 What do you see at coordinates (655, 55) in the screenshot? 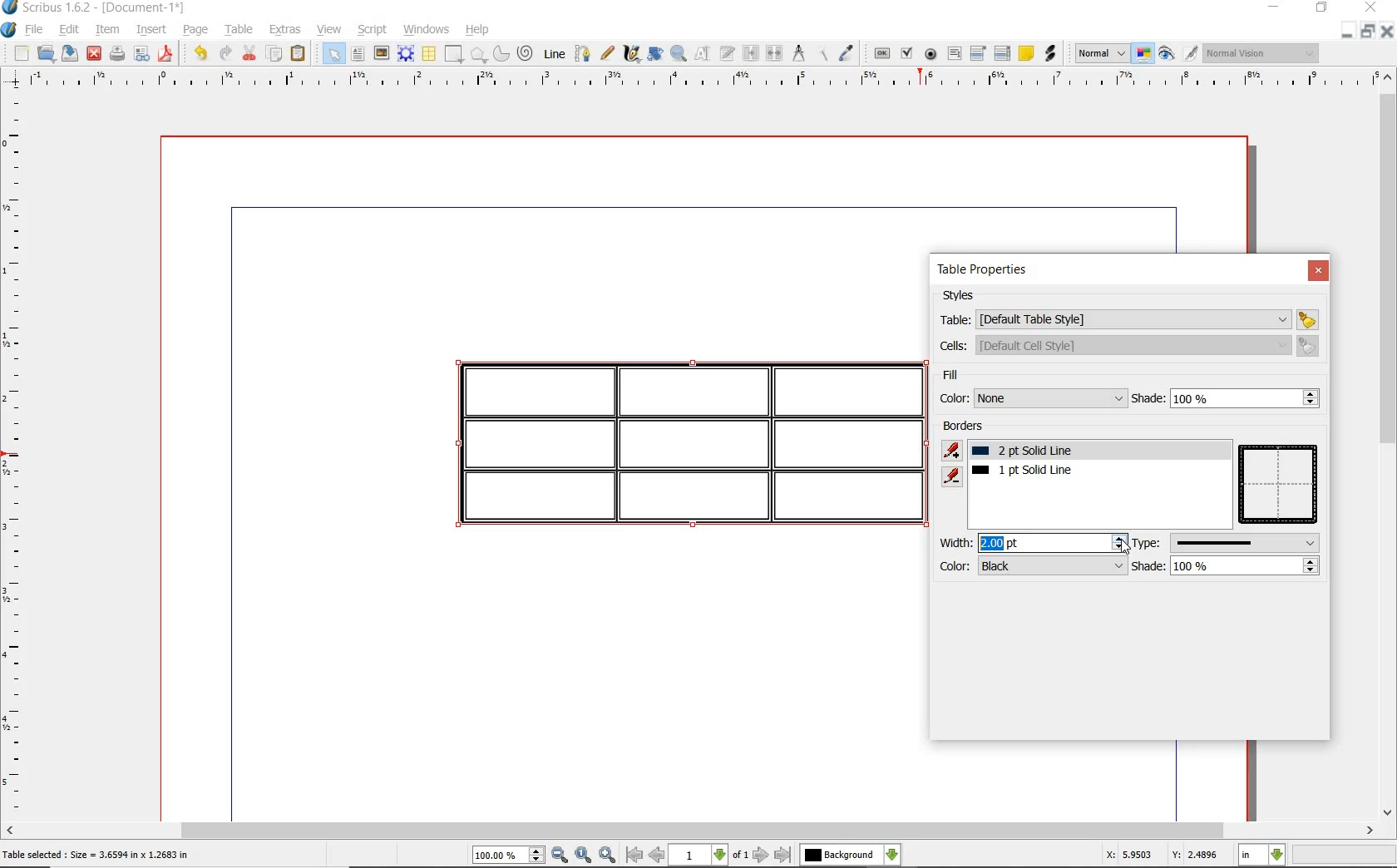
I see `rotate item` at bounding box center [655, 55].